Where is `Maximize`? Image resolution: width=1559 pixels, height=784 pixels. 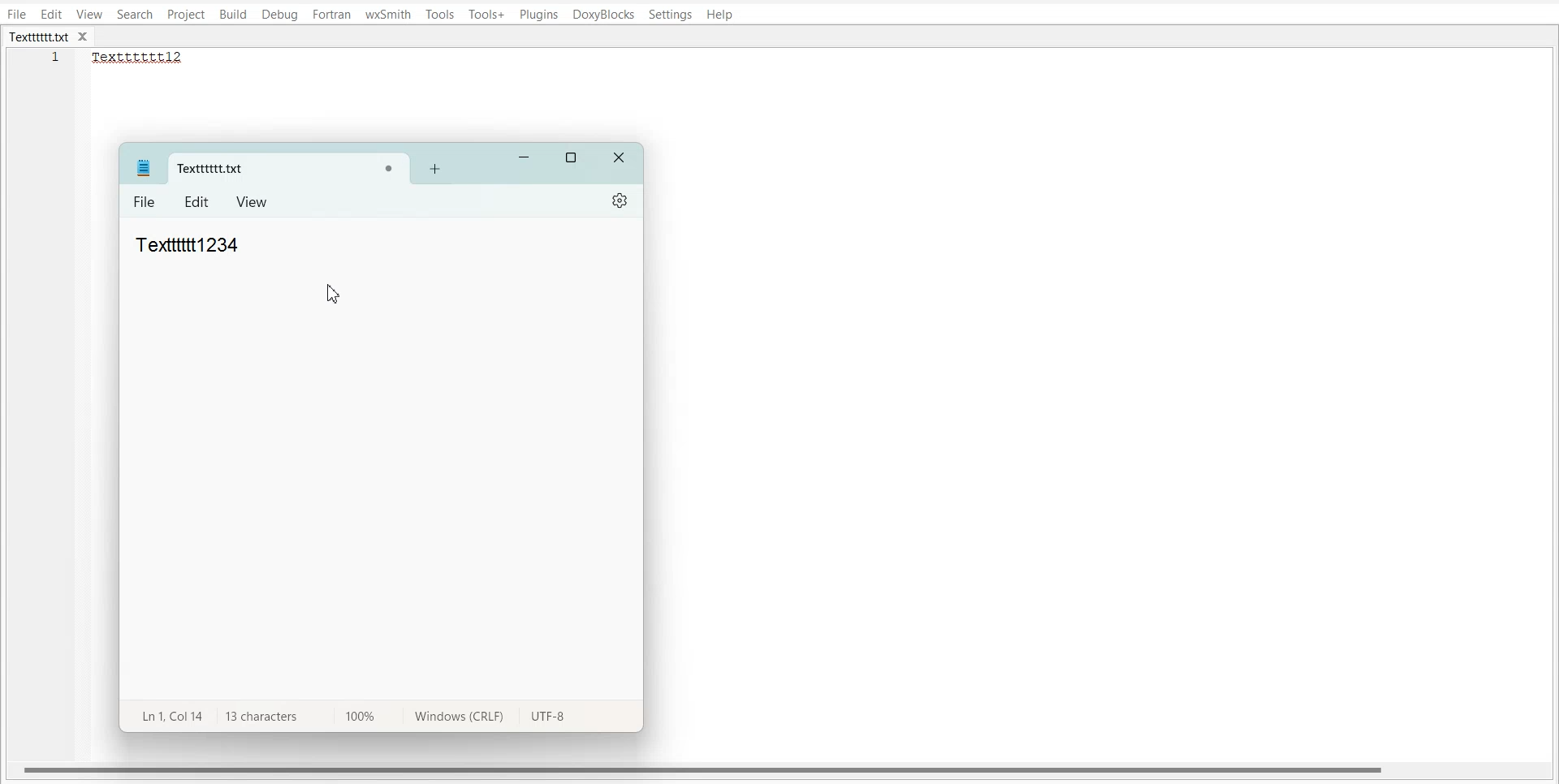
Maximize is located at coordinates (572, 158).